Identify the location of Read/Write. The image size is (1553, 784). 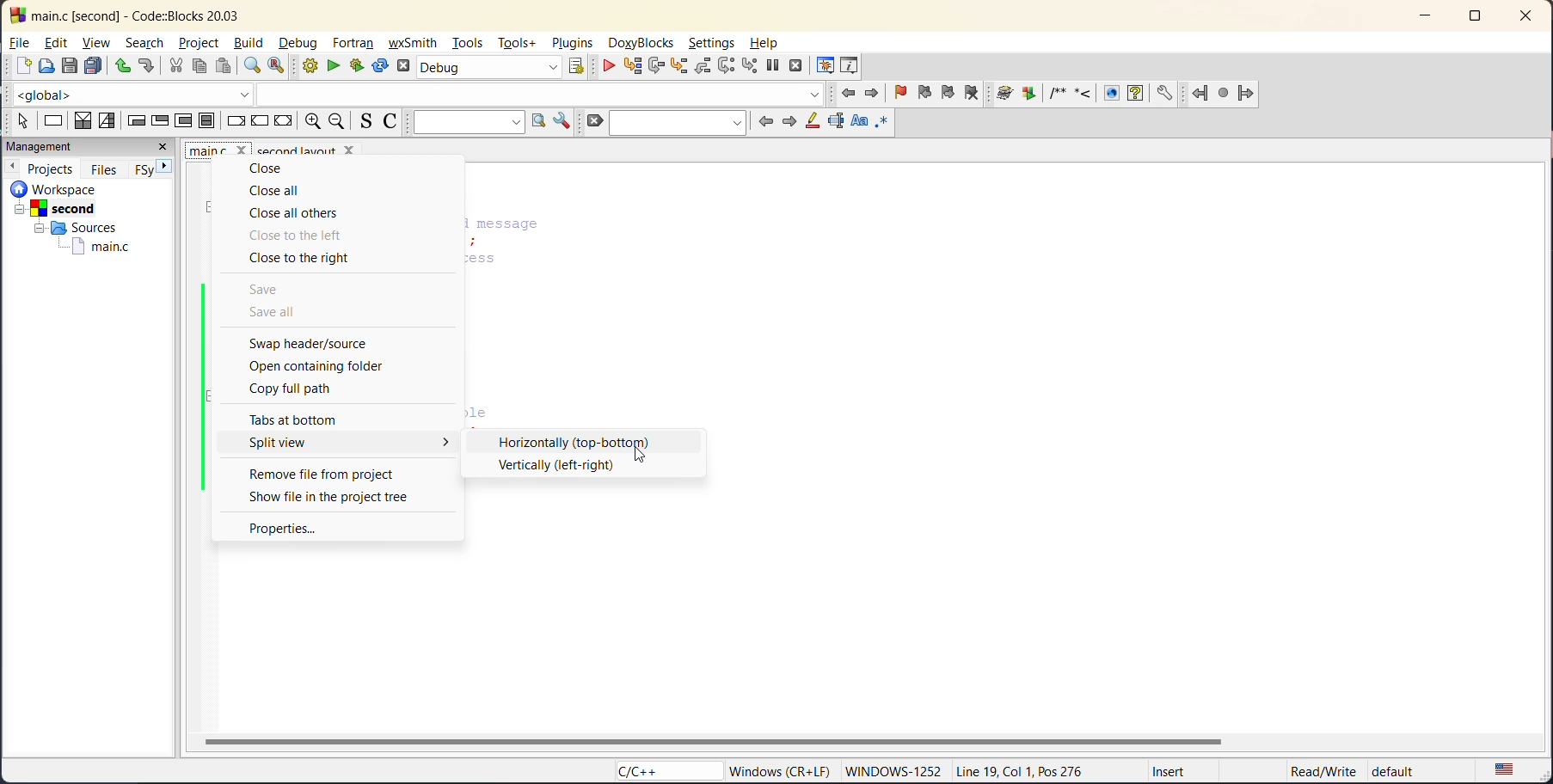
(1321, 769).